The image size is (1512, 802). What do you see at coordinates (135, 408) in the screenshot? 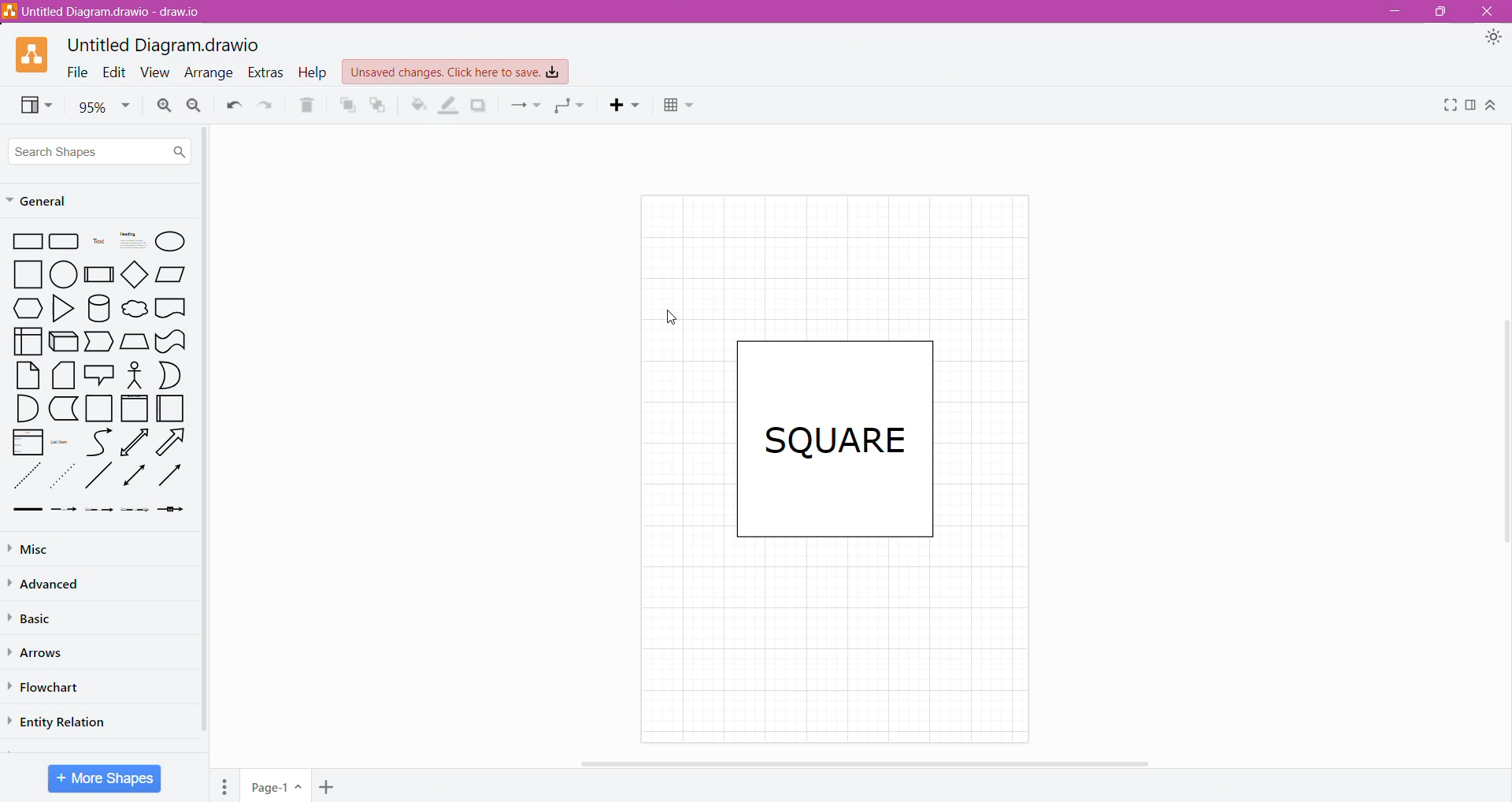
I see `Frame` at bounding box center [135, 408].